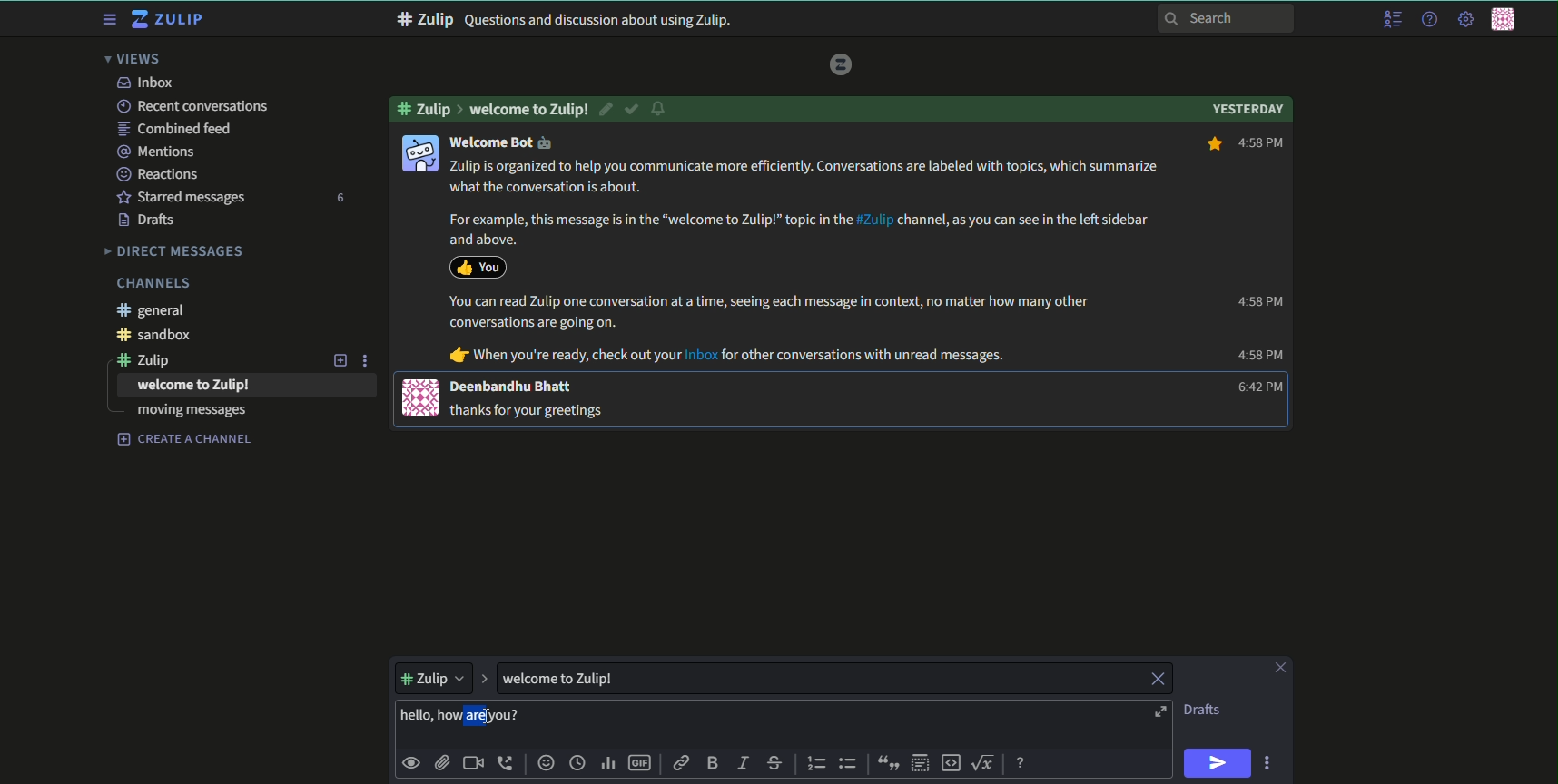  Describe the element at coordinates (153, 283) in the screenshot. I see `Channels` at that location.